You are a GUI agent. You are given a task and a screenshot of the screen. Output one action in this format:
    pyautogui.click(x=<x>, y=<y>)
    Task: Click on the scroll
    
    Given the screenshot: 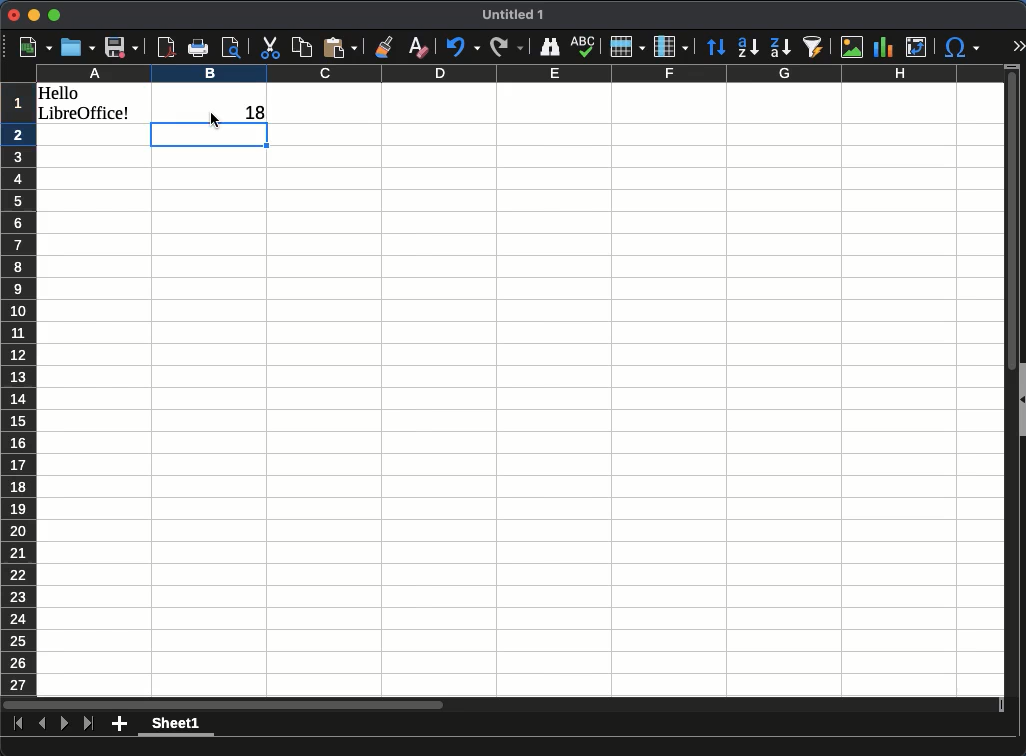 What is the action you would take?
    pyautogui.click(x=1005, y=381)
    